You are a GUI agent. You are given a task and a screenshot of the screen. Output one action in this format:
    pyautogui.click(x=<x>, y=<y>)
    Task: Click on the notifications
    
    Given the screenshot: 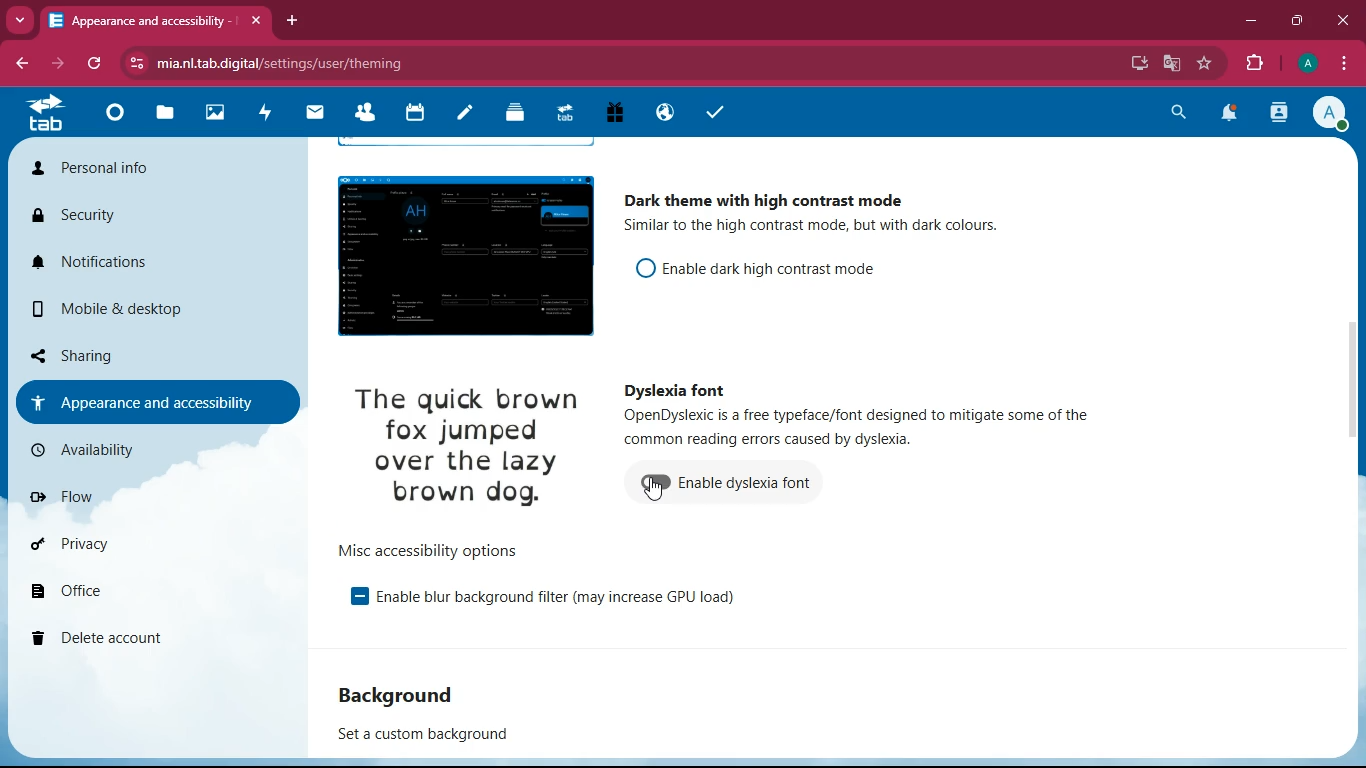 What is the action you would take?
    pyautogui.click(x=1230, y=112)
    